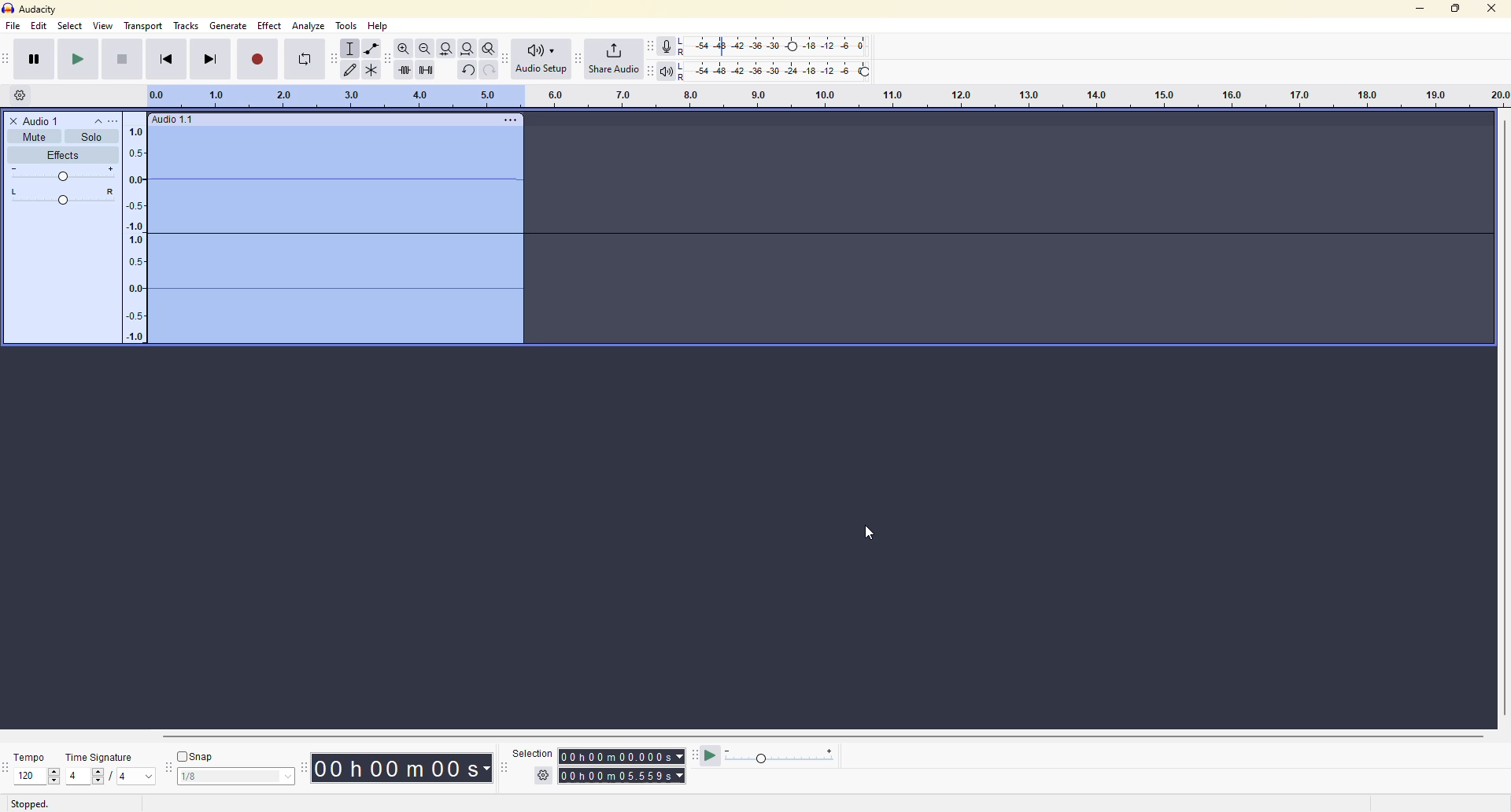  Describe the element at coordinates (408, 767) in the screenshot. I see `time` at that location.